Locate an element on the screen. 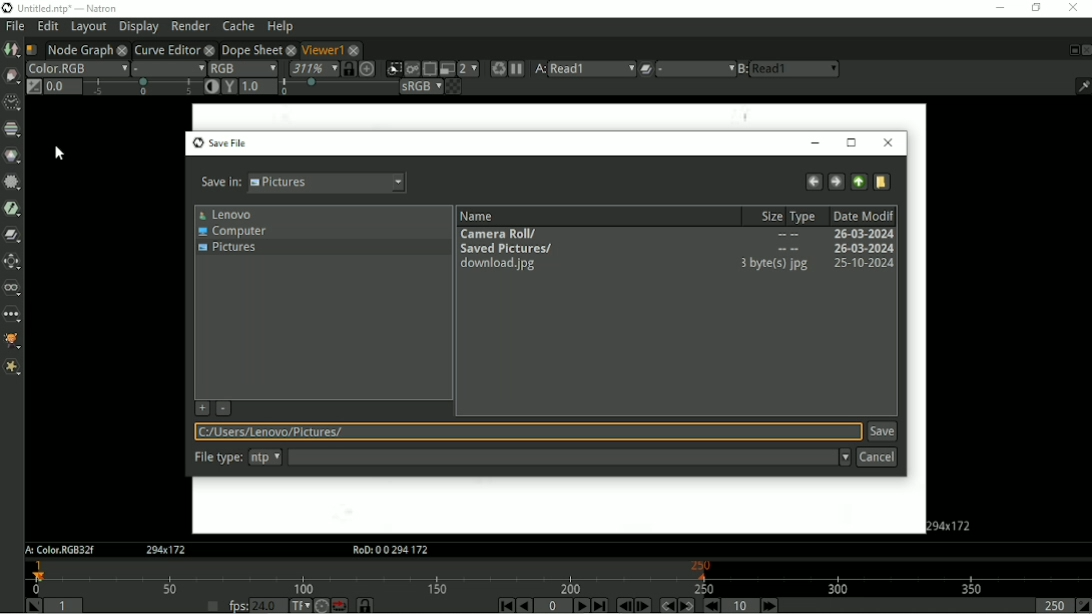 Image resolution: width=1092 pixels, height=614 pixels. Lenovo is located at coordinates (225, 215).